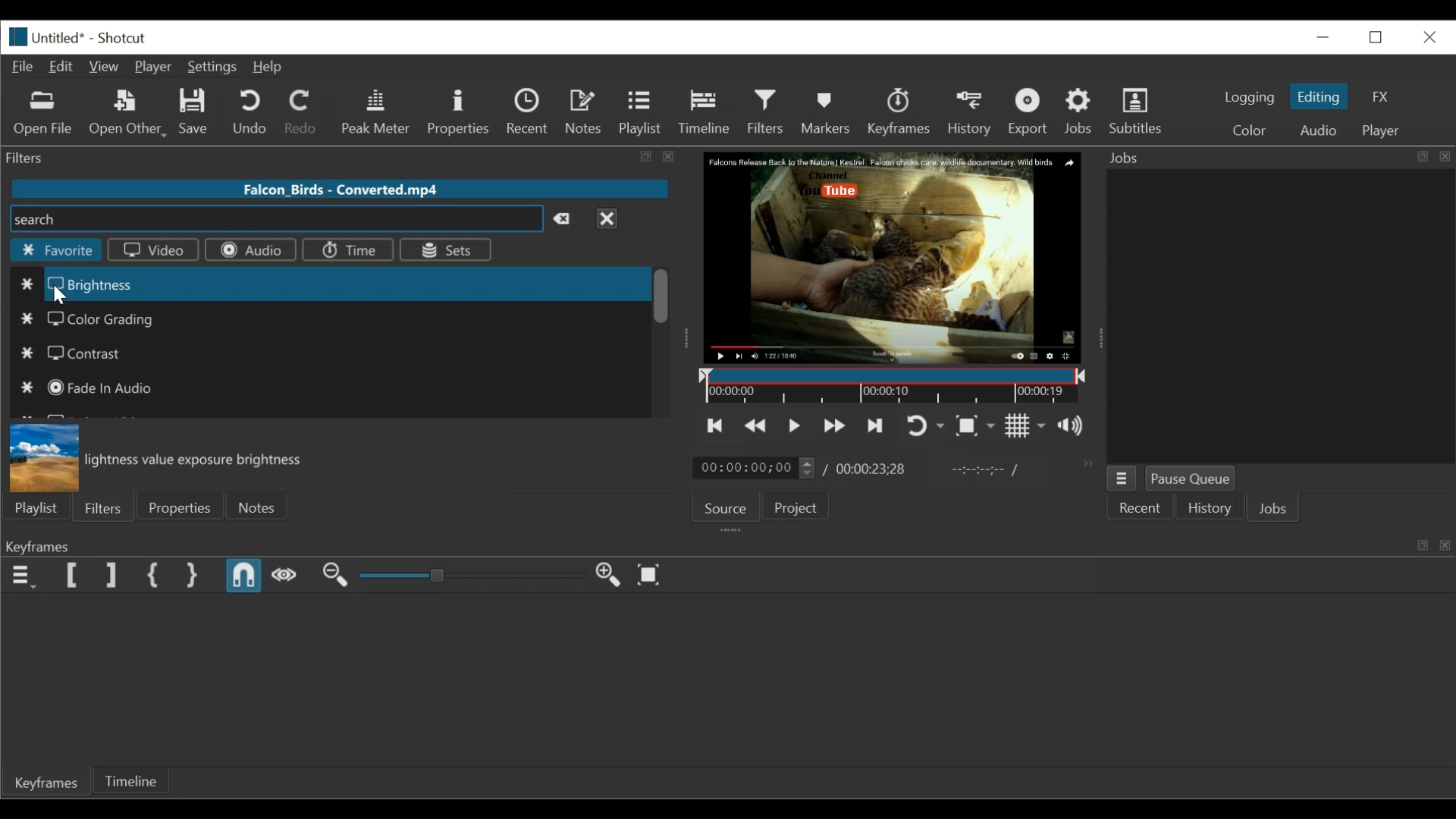 The image size is (1456, 819). What do you see at coordinates (1190, 479) in the screenshot?
I see `Pause Queue` at bounding box center [1190, 479].